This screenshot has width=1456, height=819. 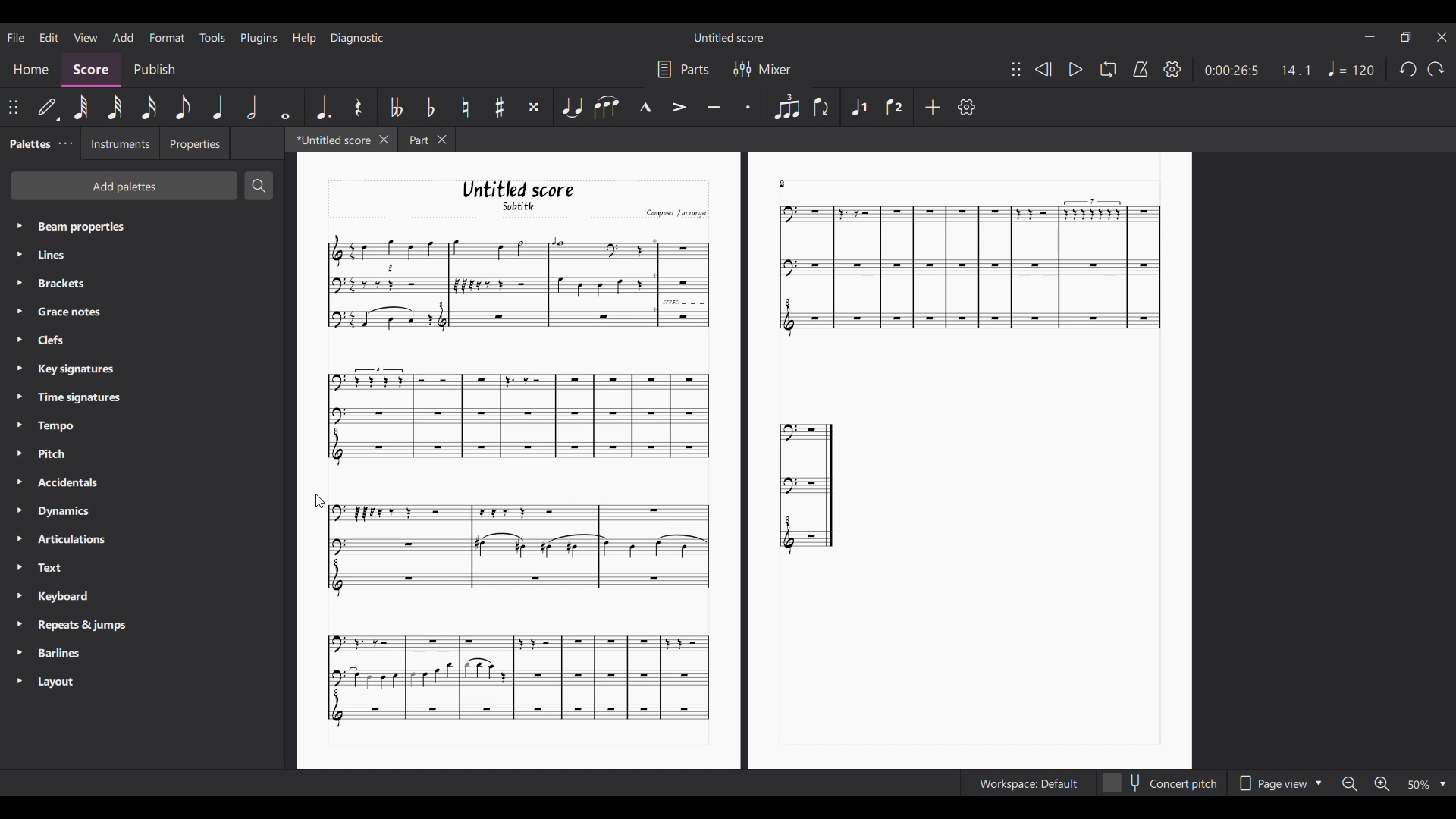 I want to click on 16th note, so click(x=149, y=107).